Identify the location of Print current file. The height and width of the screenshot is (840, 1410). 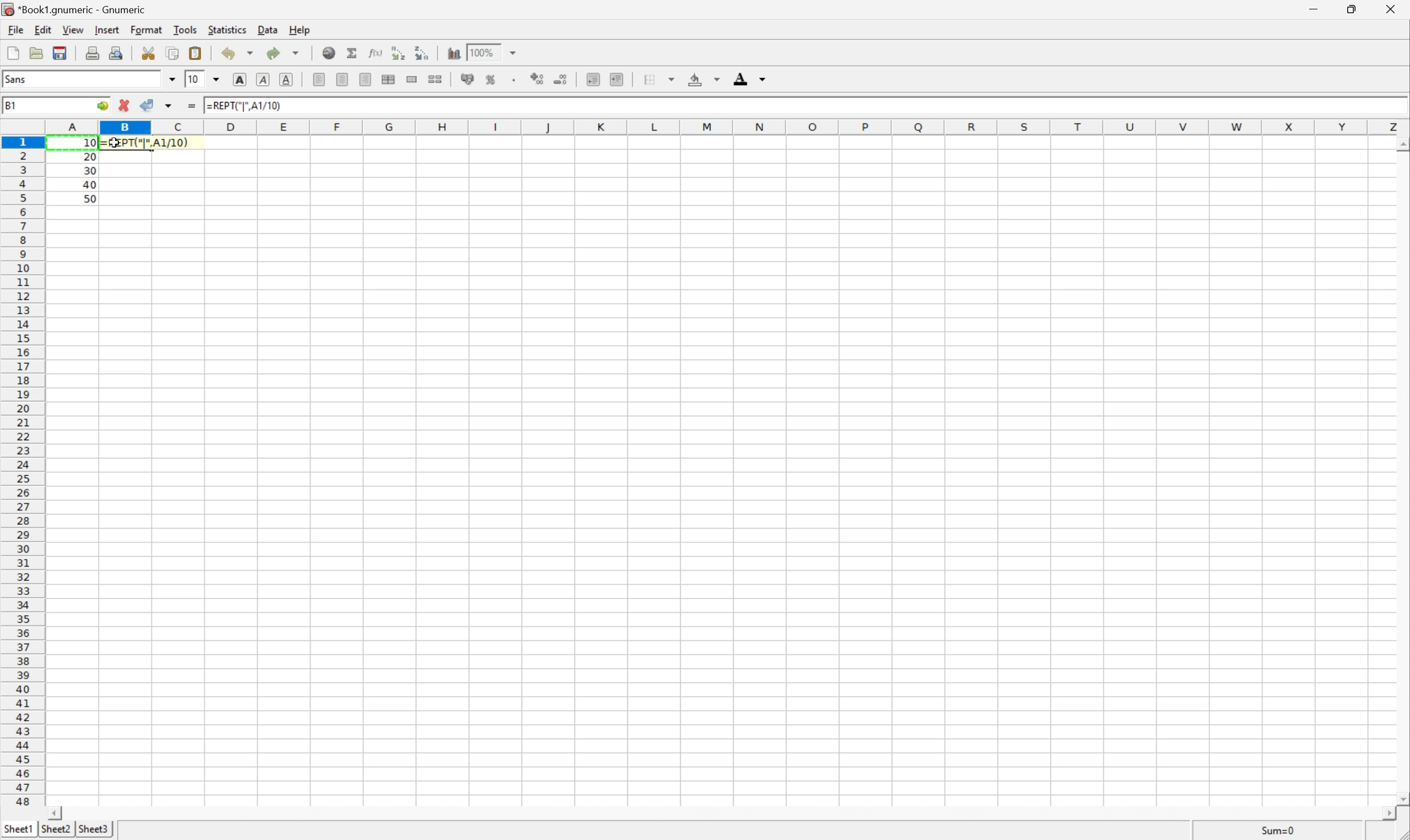
(93, 53).